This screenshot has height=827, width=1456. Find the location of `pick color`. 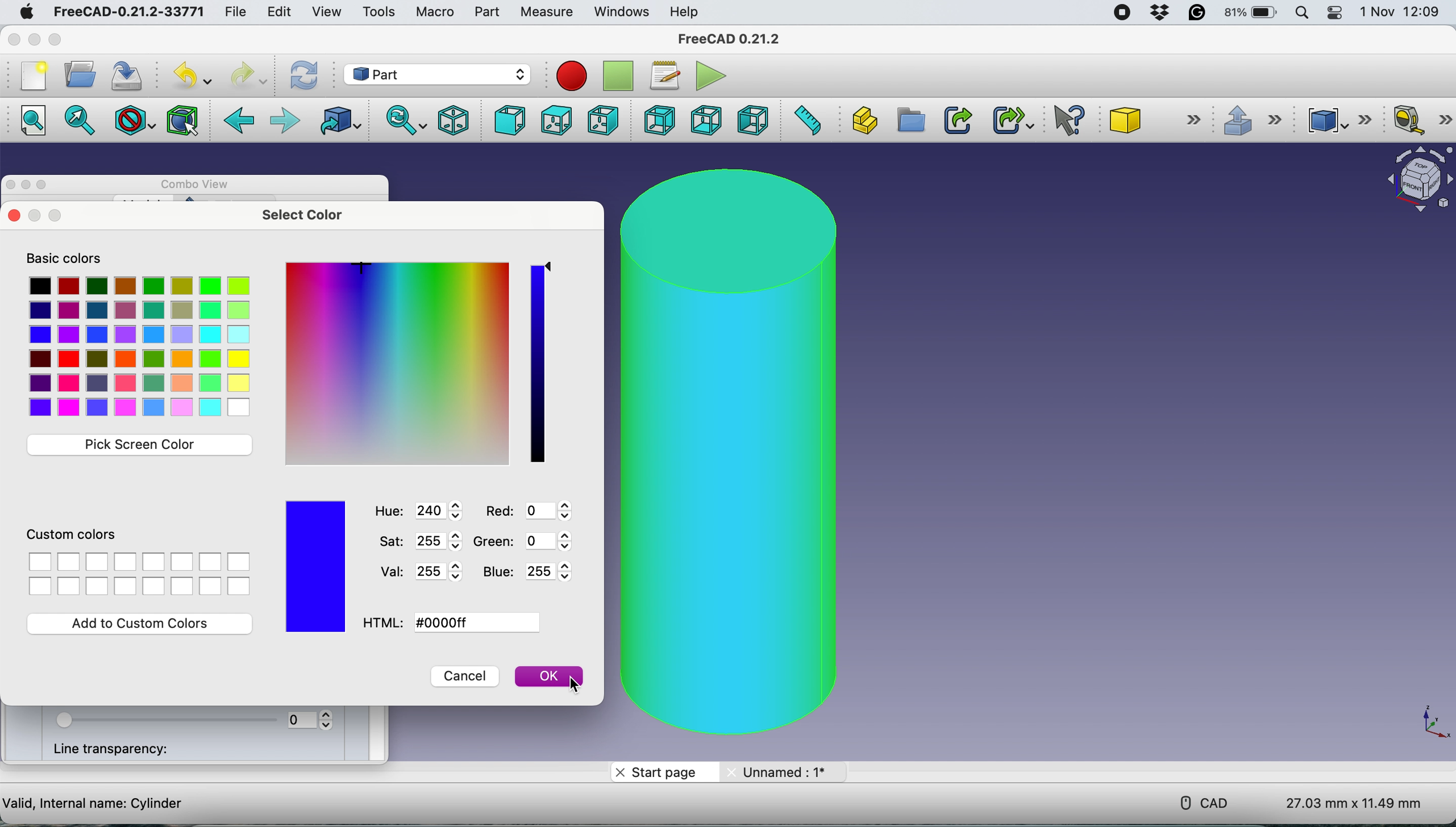

pick color is located at coordinates (400, 363).